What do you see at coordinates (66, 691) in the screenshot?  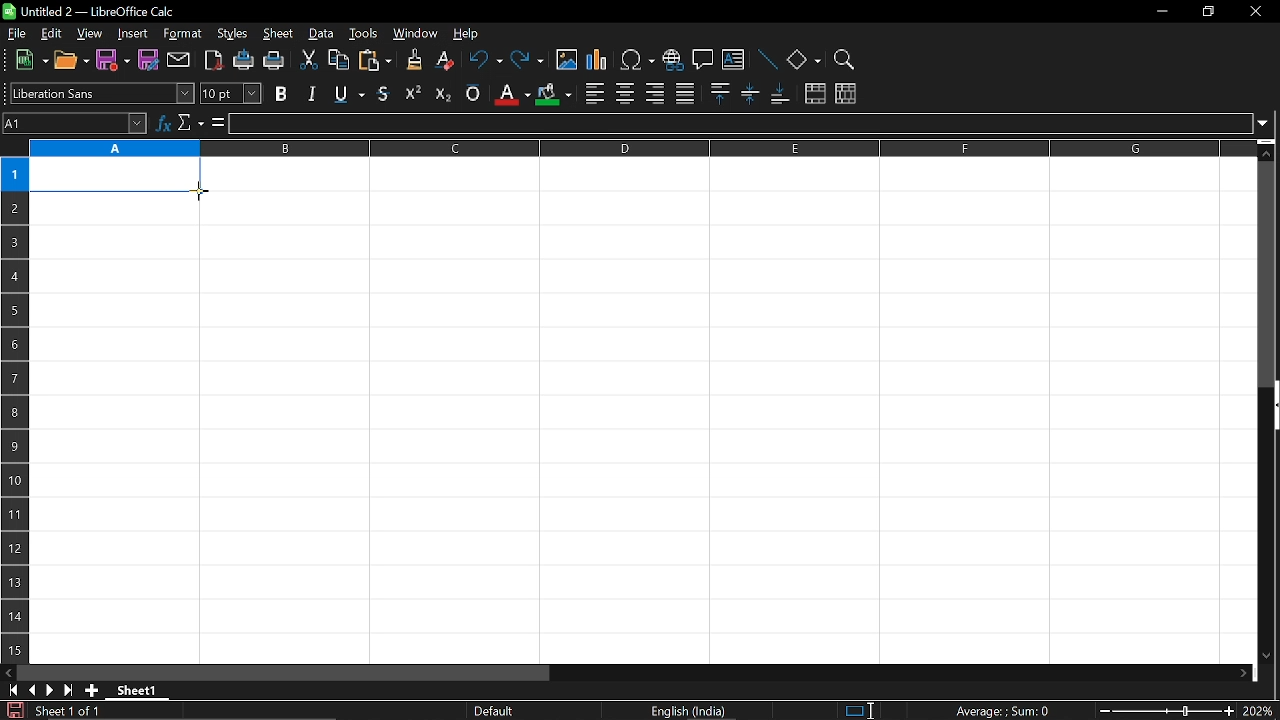 I see `go to last sheet` at bounding box center [66, 691].